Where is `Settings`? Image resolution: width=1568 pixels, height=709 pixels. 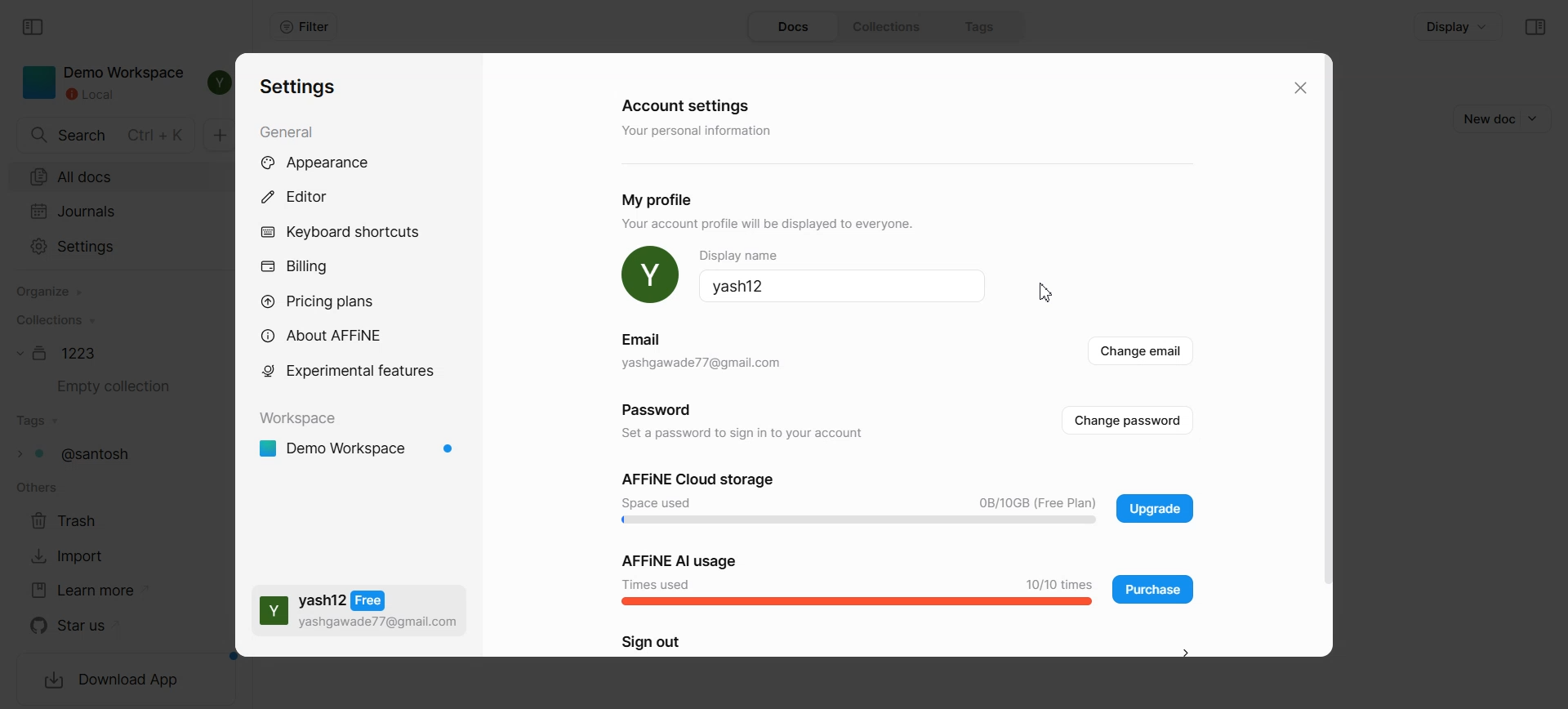
Settings is located at coordinates (108, 247).